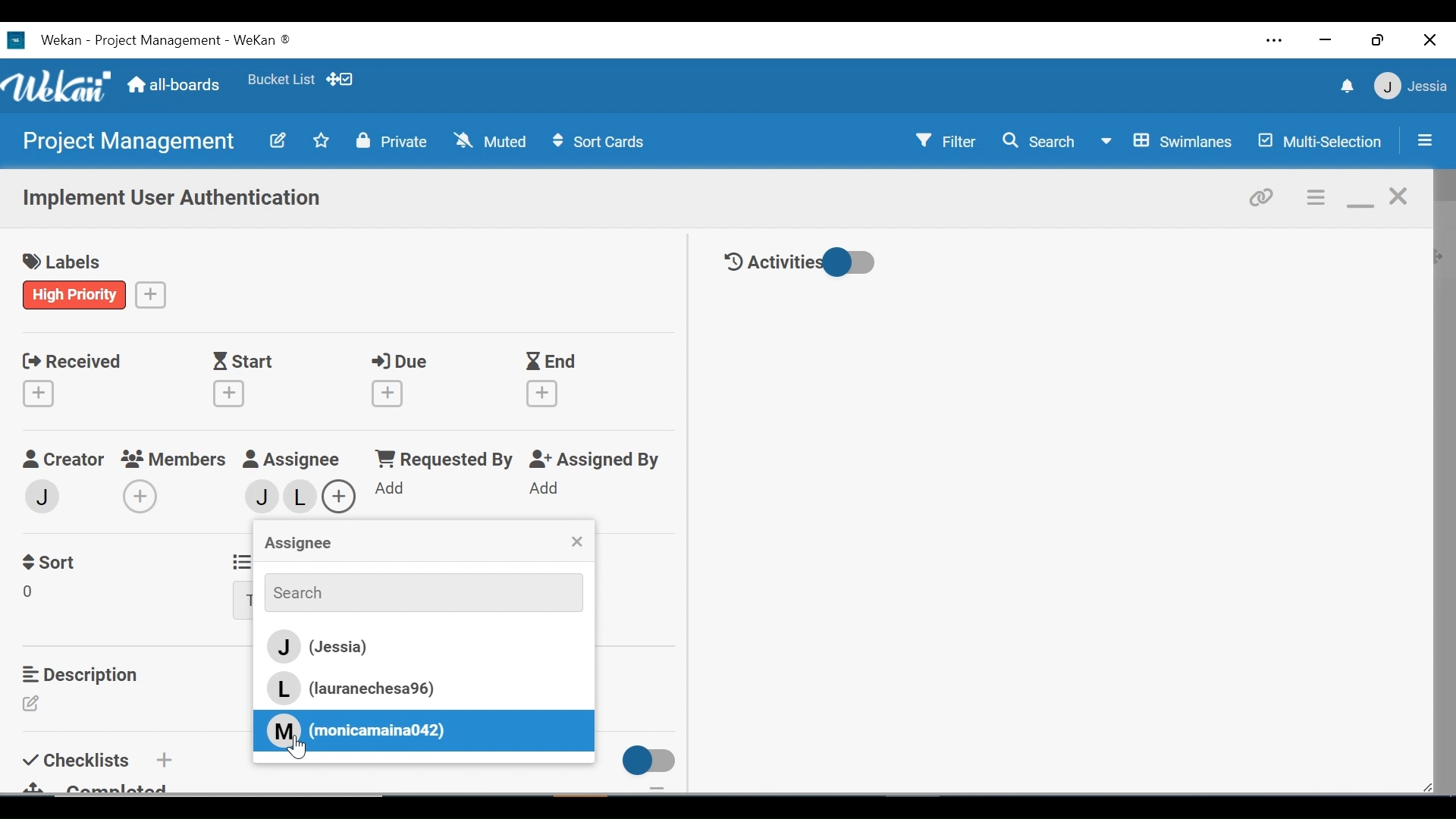  Describe the element at coordinates (384, 489) in the screenshot. I see `Add` at that location.